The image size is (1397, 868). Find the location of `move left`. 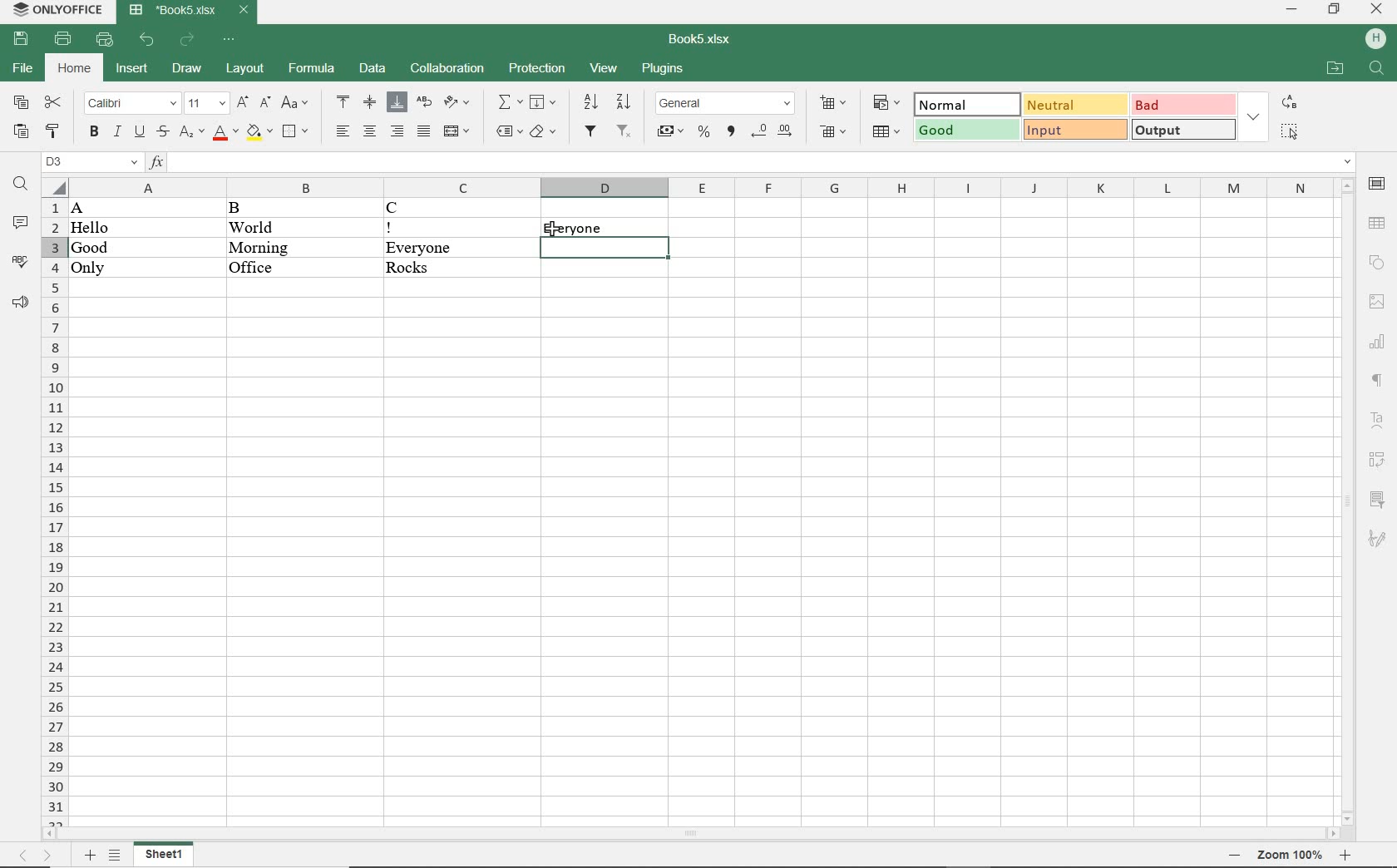

move left is located at coordinates (52, 832).